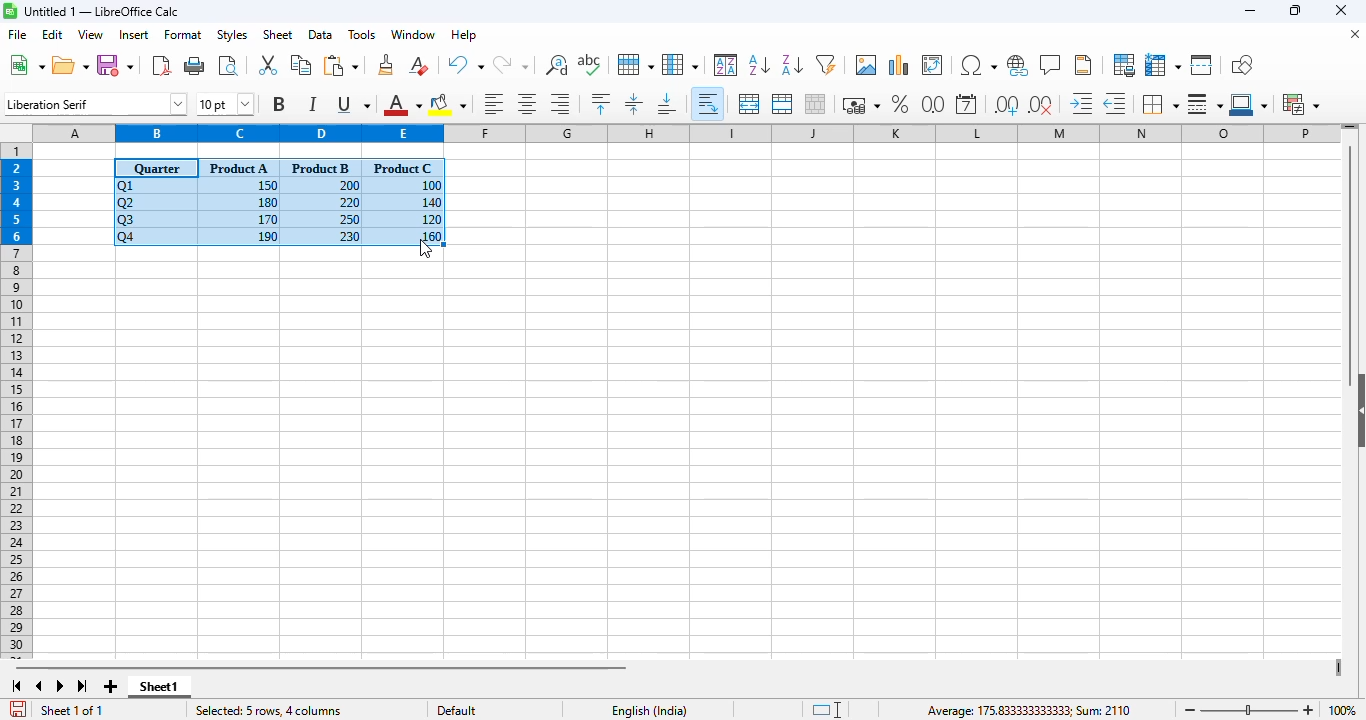  What do you see at coordinates (1297, 11) in the screenshot?
I see `maximize` at bounding box center [1297, 11].